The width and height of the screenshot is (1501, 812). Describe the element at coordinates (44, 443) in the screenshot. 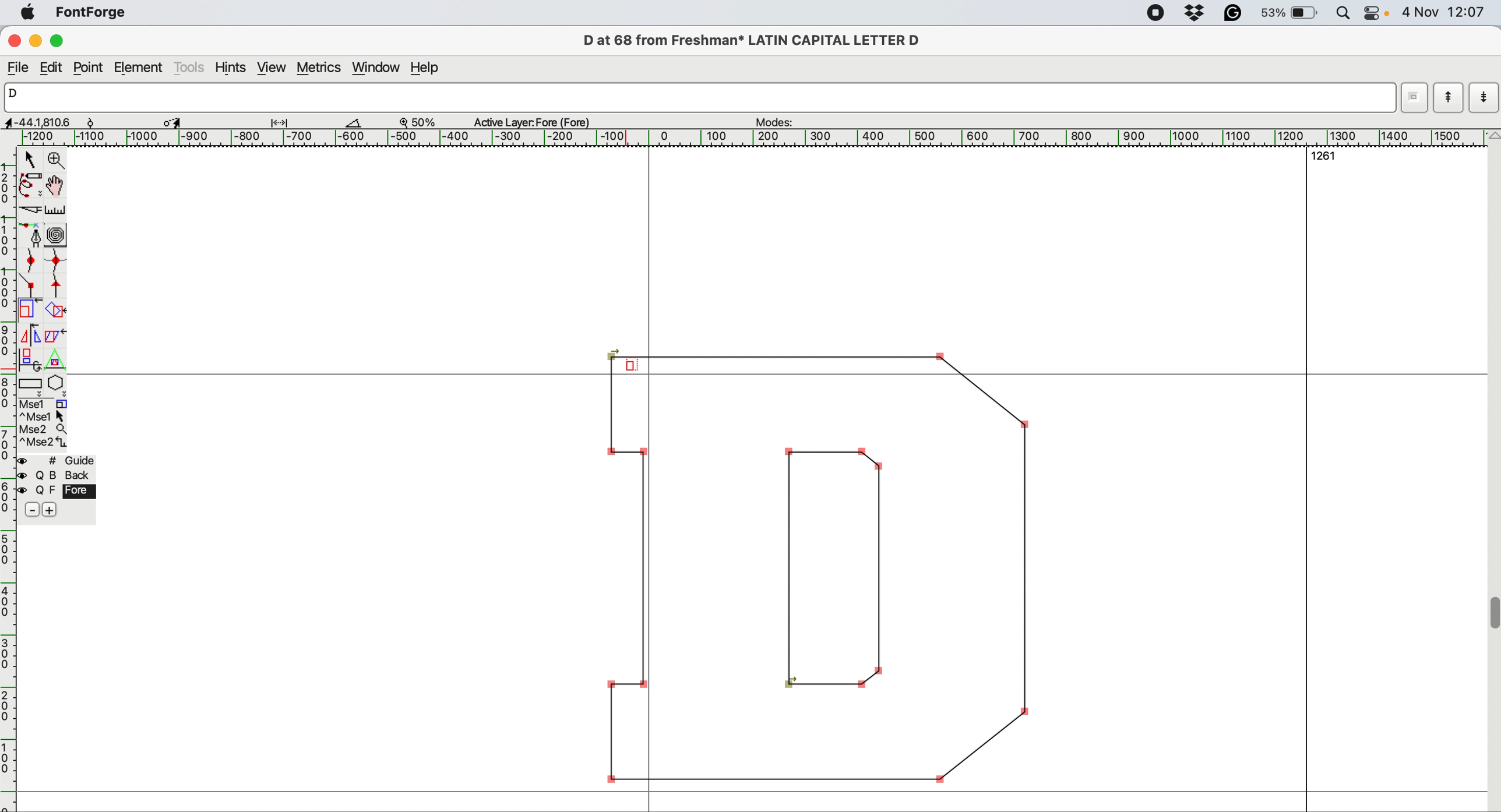

I see `^Mse2` at that location.